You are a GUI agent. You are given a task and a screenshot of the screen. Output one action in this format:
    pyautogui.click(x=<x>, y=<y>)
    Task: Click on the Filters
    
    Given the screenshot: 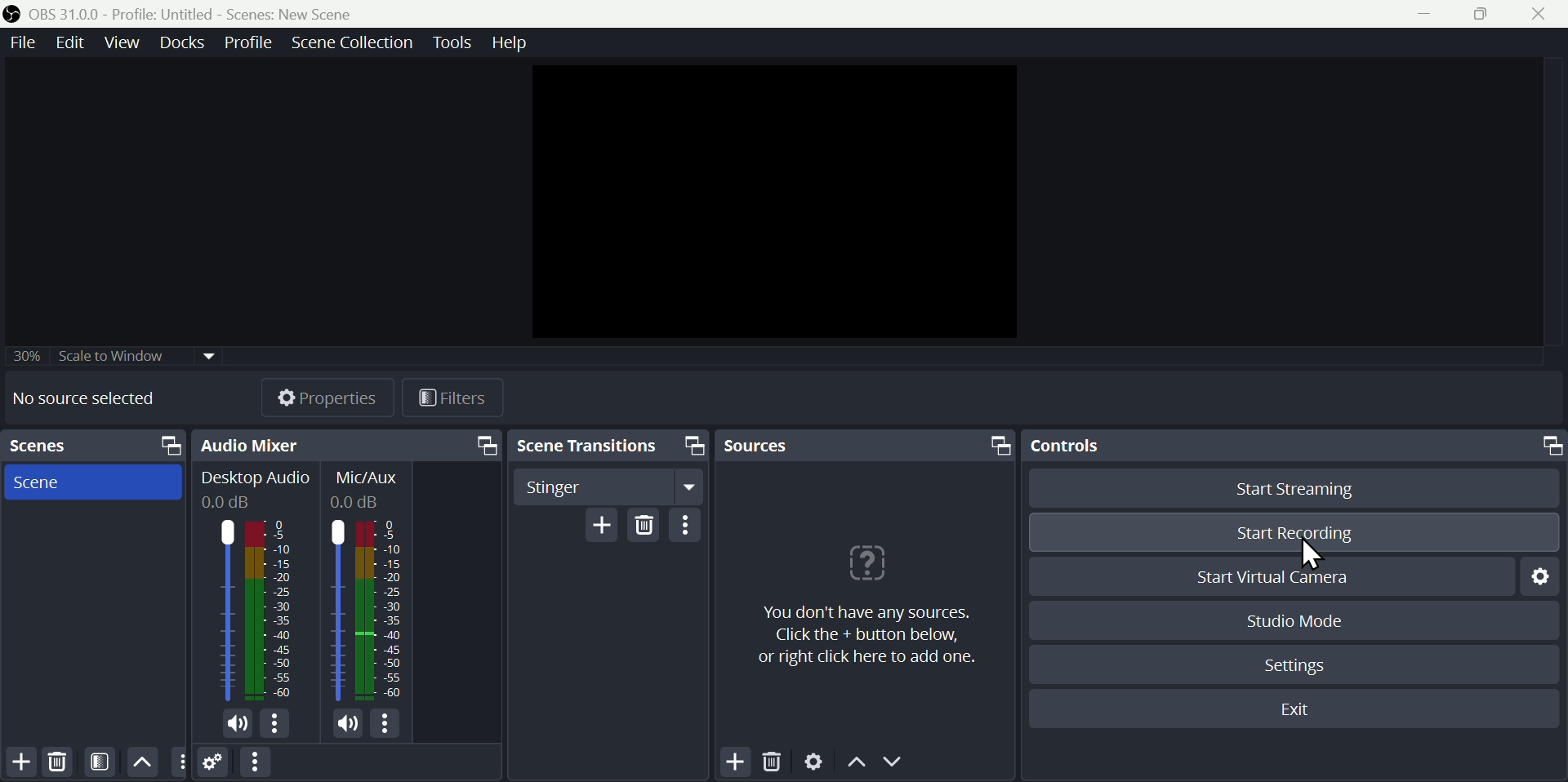 What is the action you would take?
    pyautogui.click(x=456, y=398)
    